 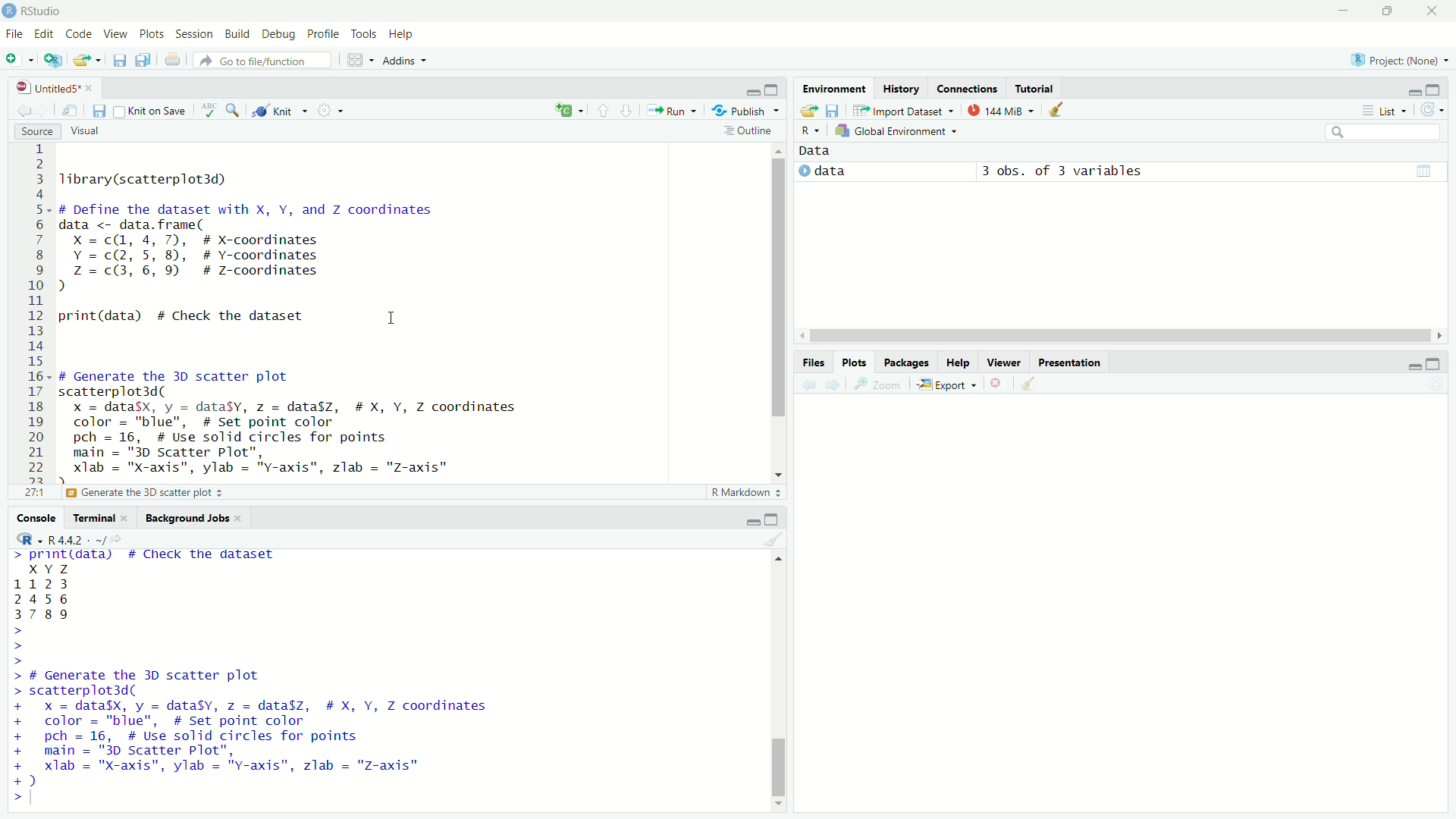 What do you see at coordinates (52, 567) in the screenshot?
I see `x y 7` at bounding box center [52, 567].